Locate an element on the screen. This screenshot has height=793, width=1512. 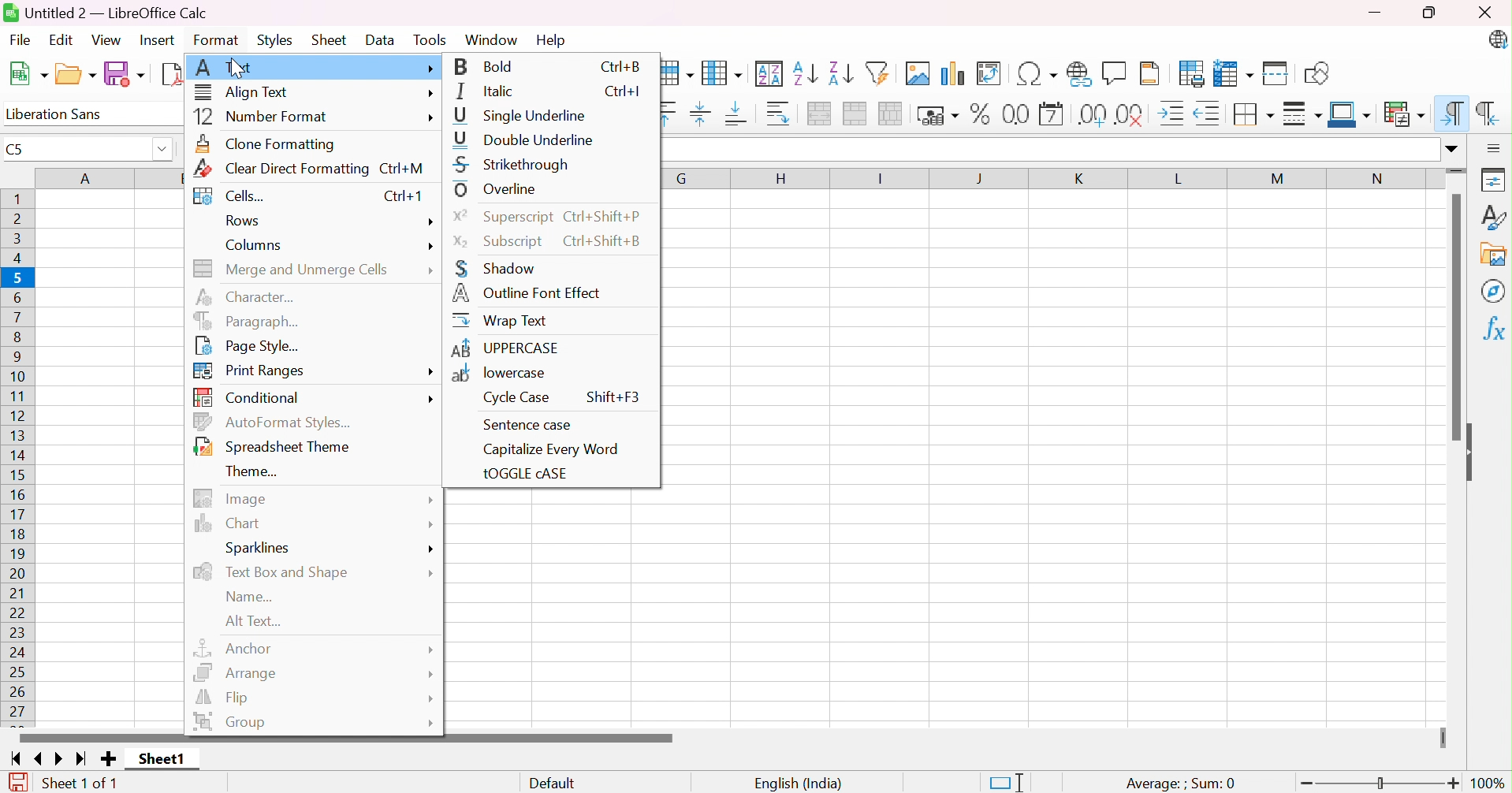
AutoFormat Styles is located at coordinates (274, 420).